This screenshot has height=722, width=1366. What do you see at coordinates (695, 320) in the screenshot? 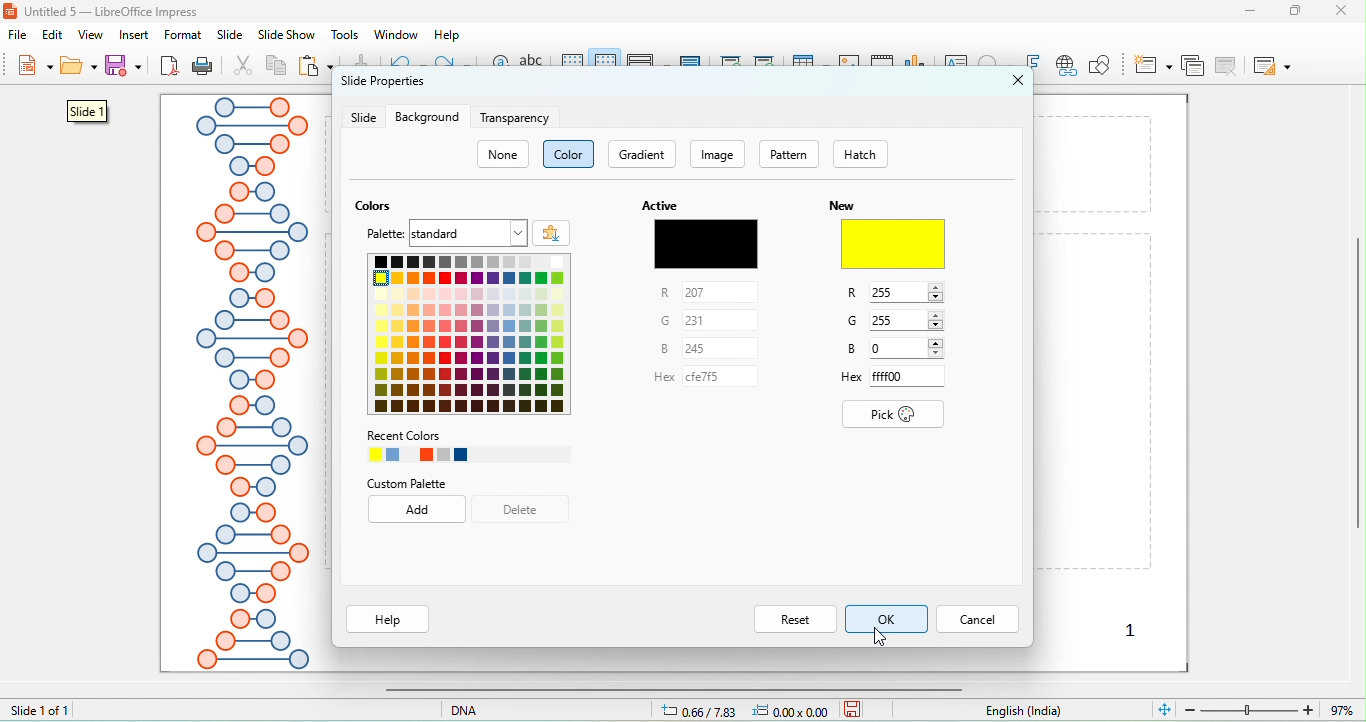
I see `G` at bounding box center [695, 320].